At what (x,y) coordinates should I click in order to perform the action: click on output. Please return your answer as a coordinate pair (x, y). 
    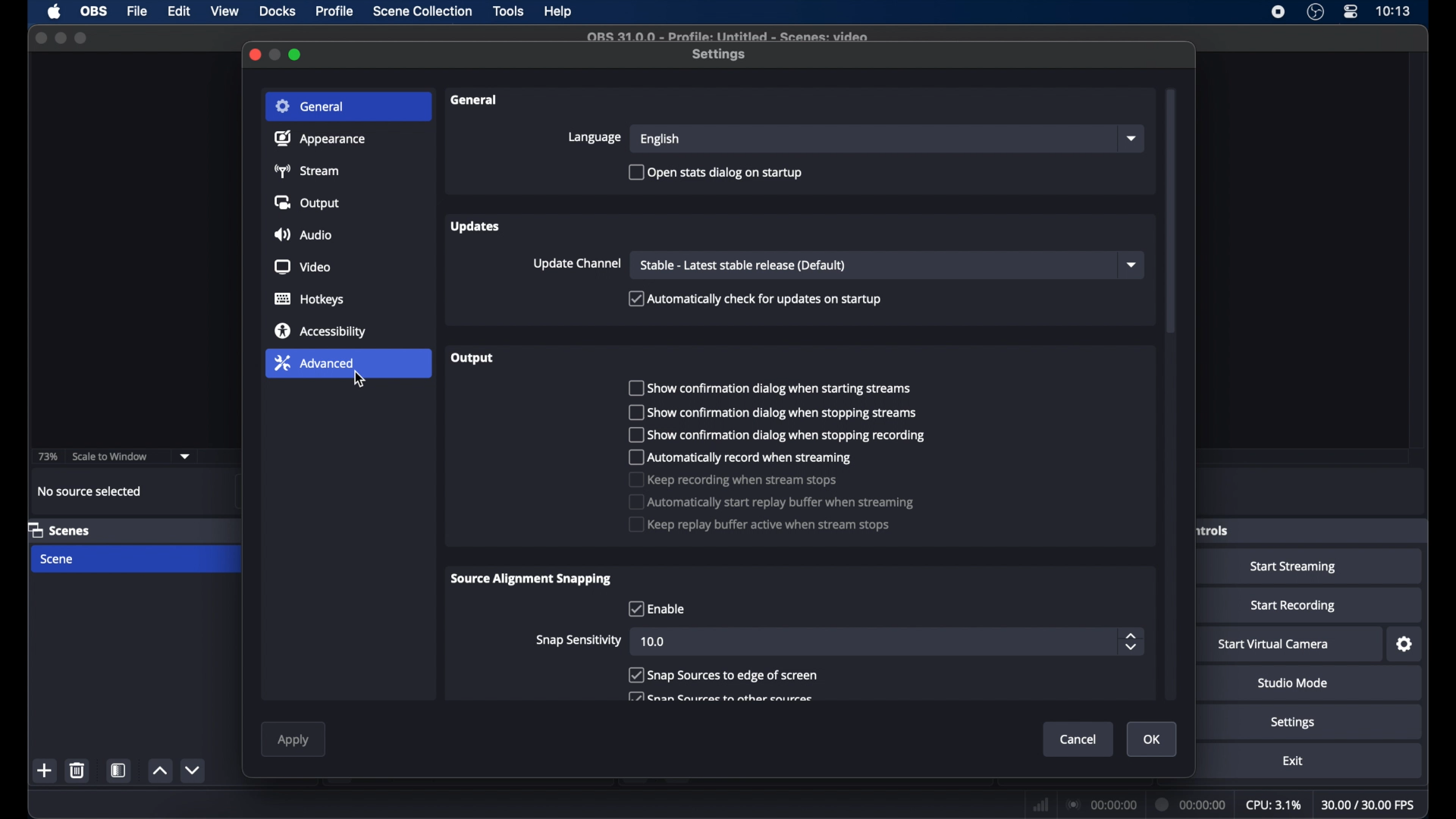
    Looking at the image, I should click on (309, 202).